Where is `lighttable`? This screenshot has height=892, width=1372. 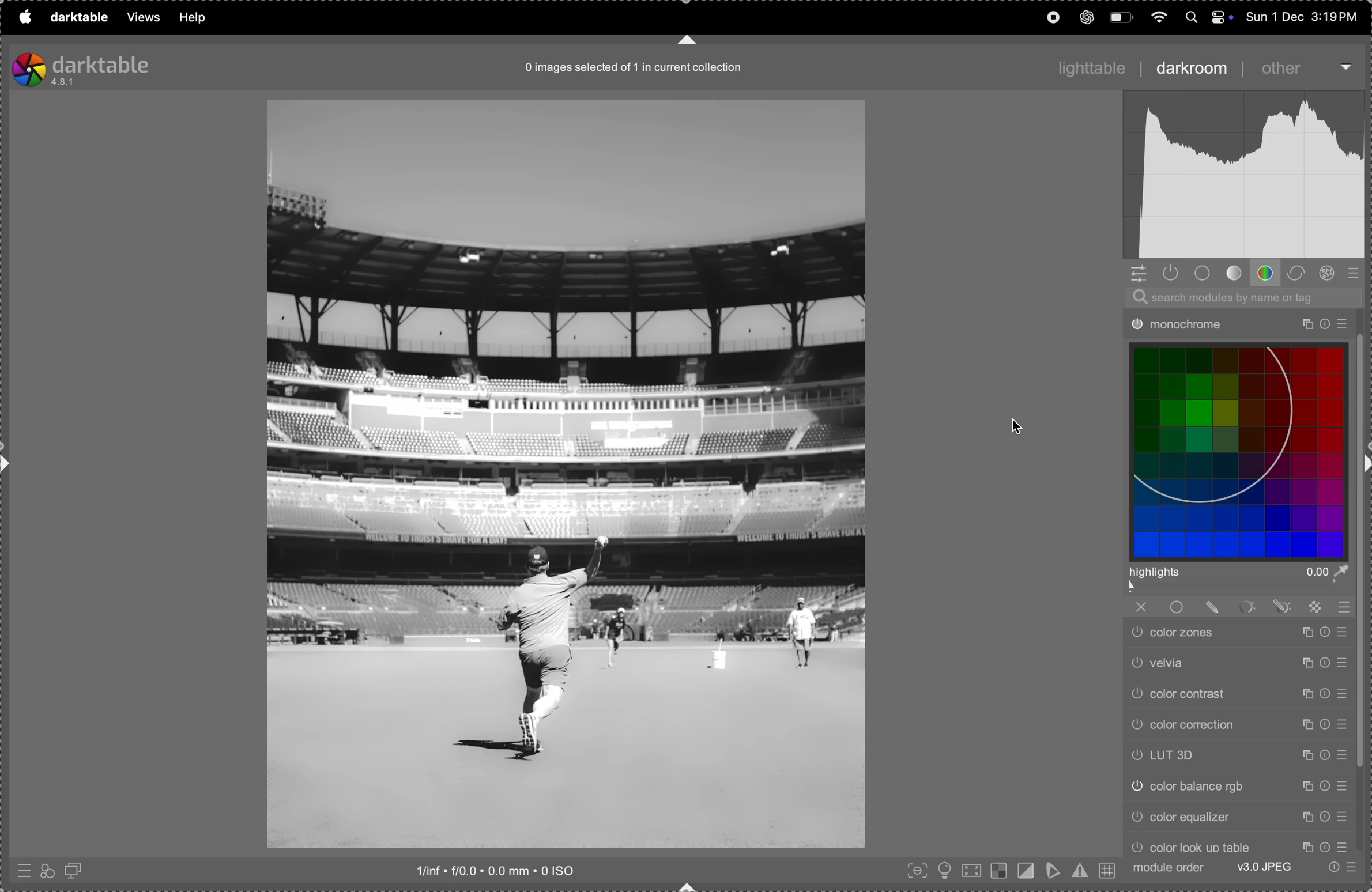 lighttable is located at coordinates (1091, 67).